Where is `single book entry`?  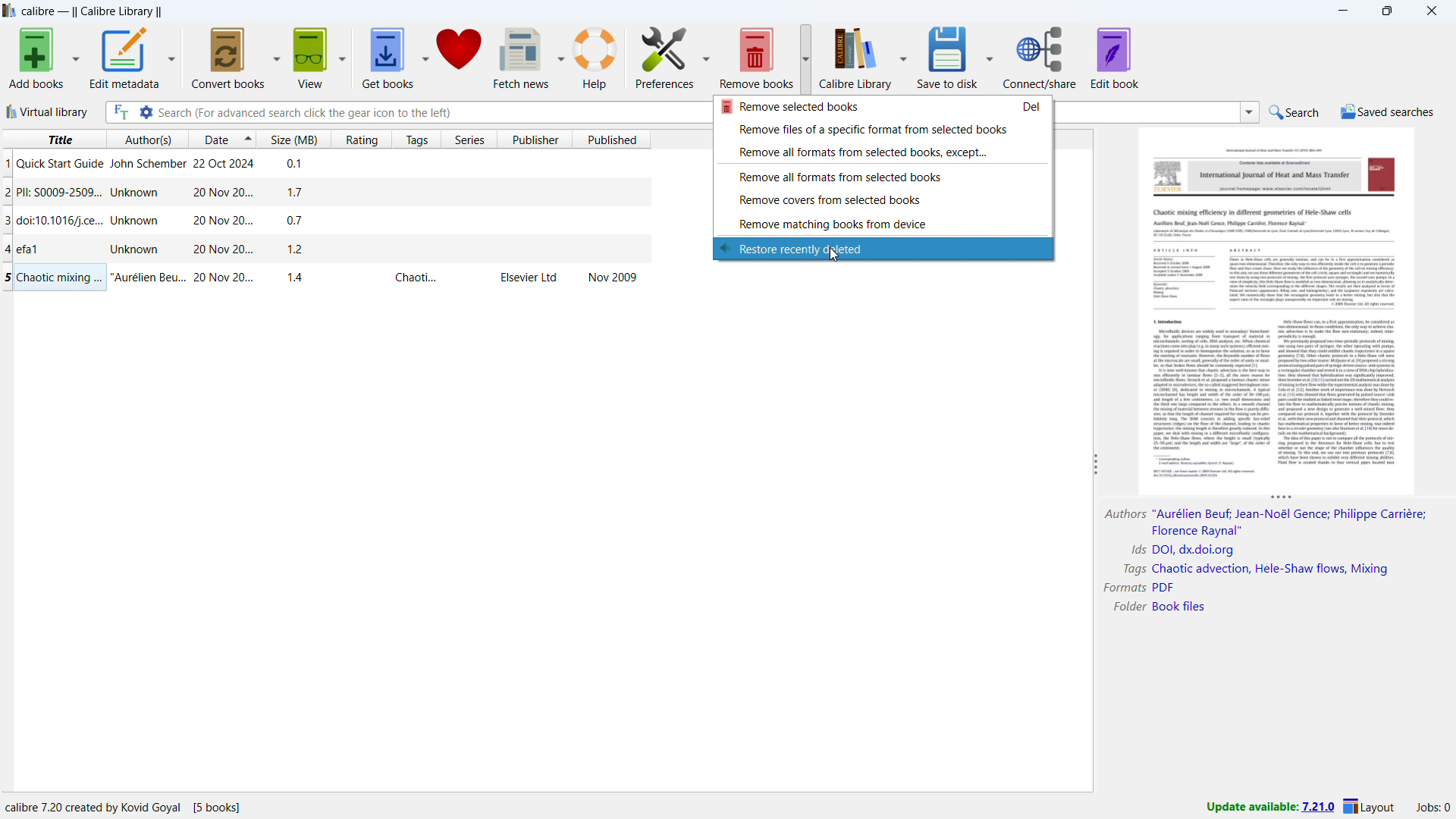 single book entry is located at coordinates (325, 193).